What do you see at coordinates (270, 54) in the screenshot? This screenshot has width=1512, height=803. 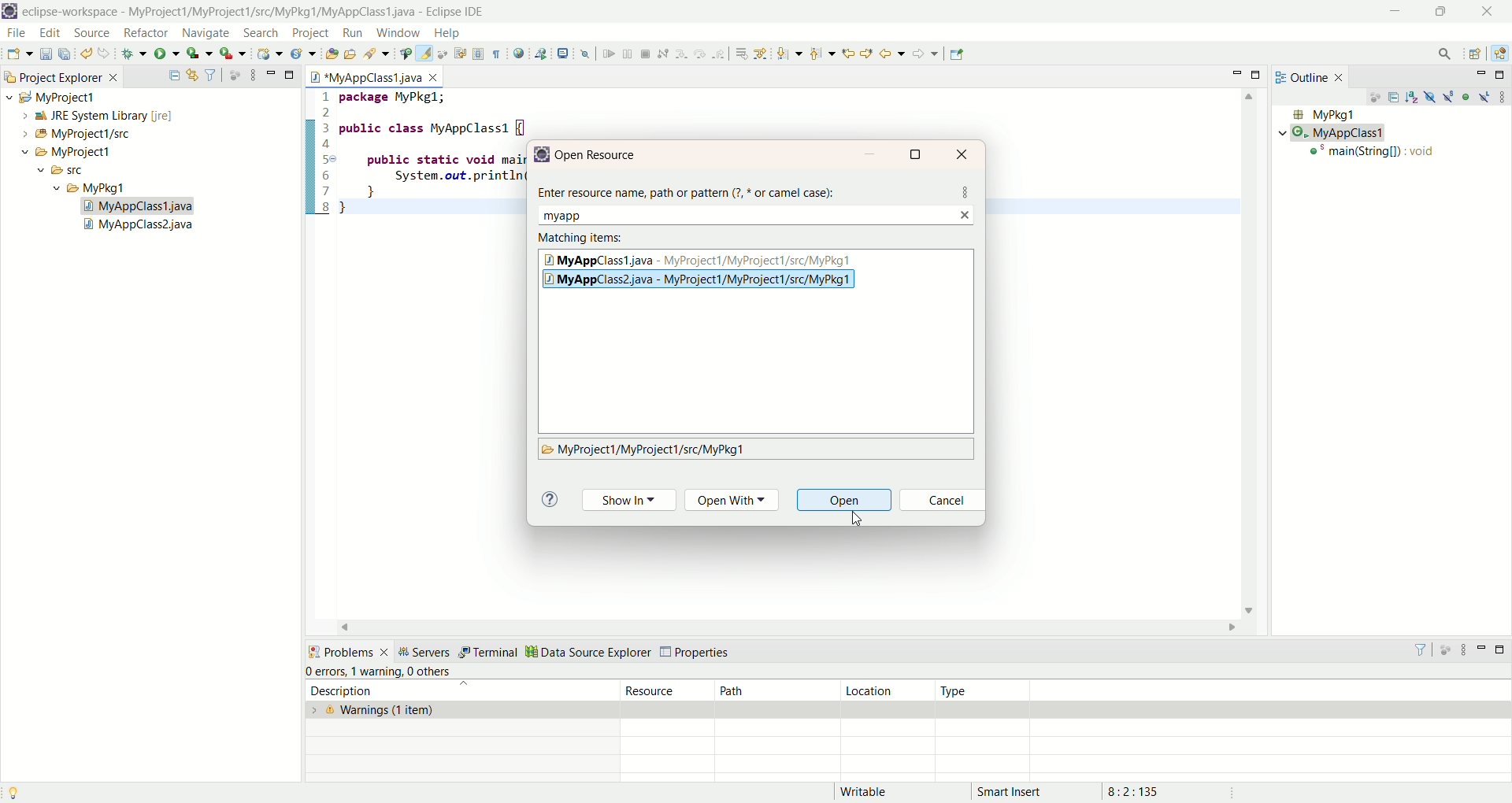 I see `create a dynamic web project` at bounding box center [270, 54].